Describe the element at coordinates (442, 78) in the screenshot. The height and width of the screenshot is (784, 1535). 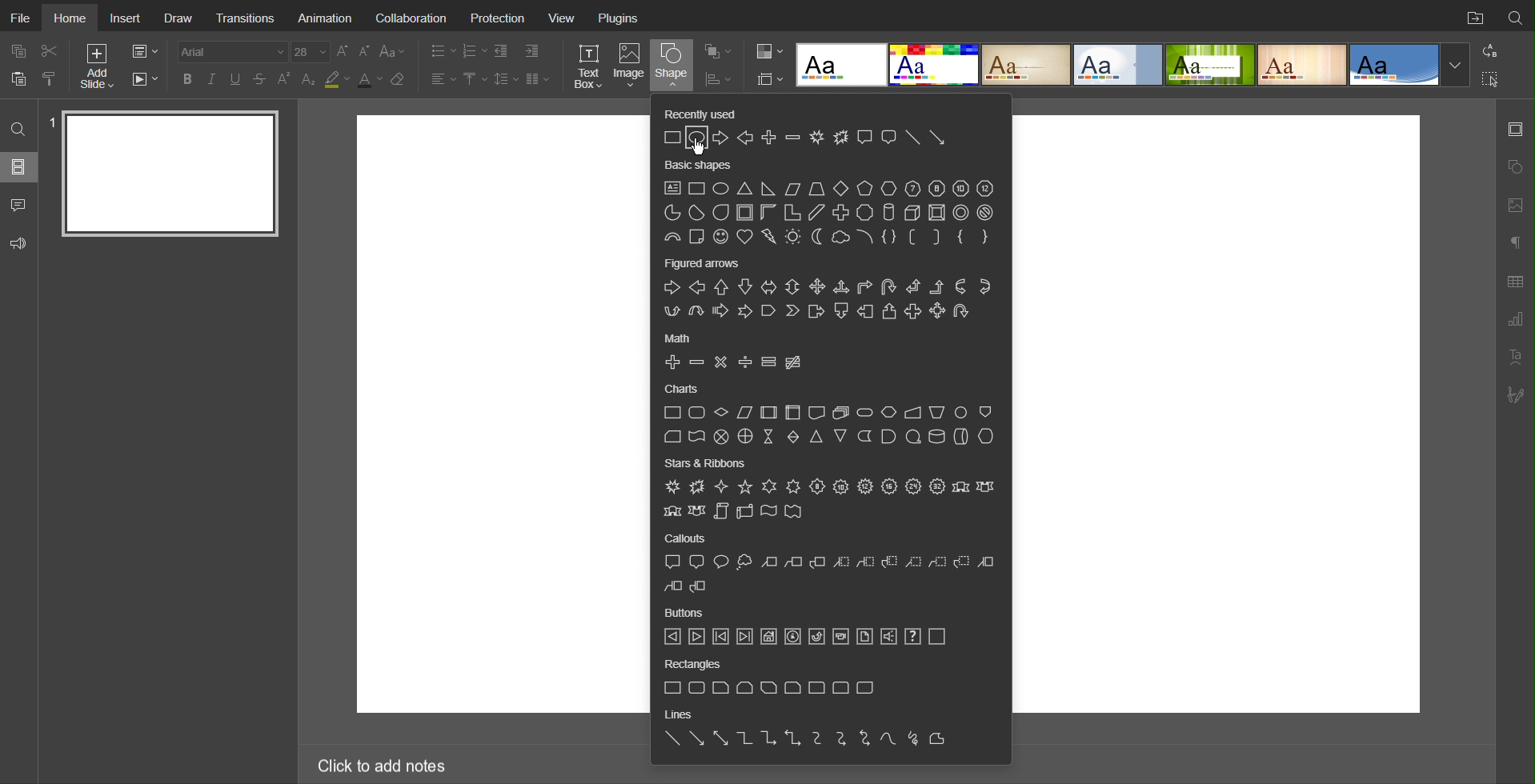
I see `Alignment` at that location.